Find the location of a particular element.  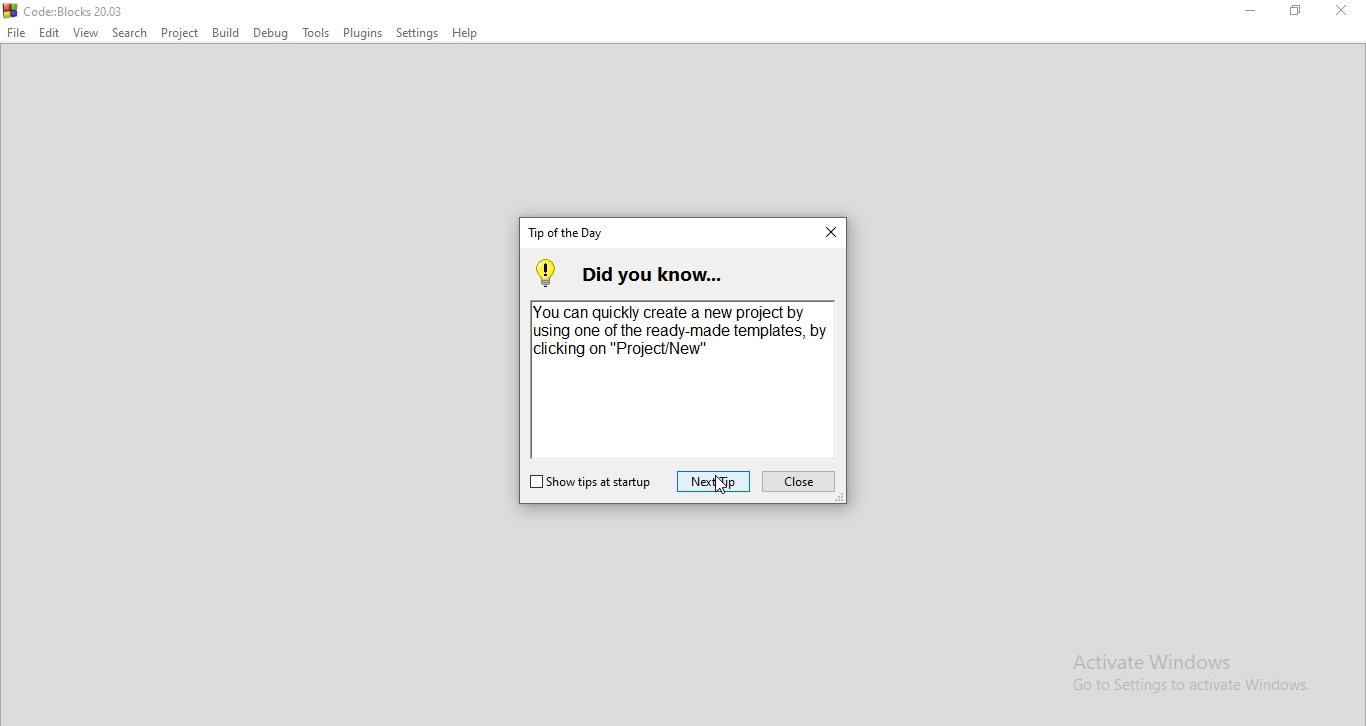

You can quickly create a new project by using one of the ready made templates, by clicking on "ProjectNew". is located at coordinates (681, 381).